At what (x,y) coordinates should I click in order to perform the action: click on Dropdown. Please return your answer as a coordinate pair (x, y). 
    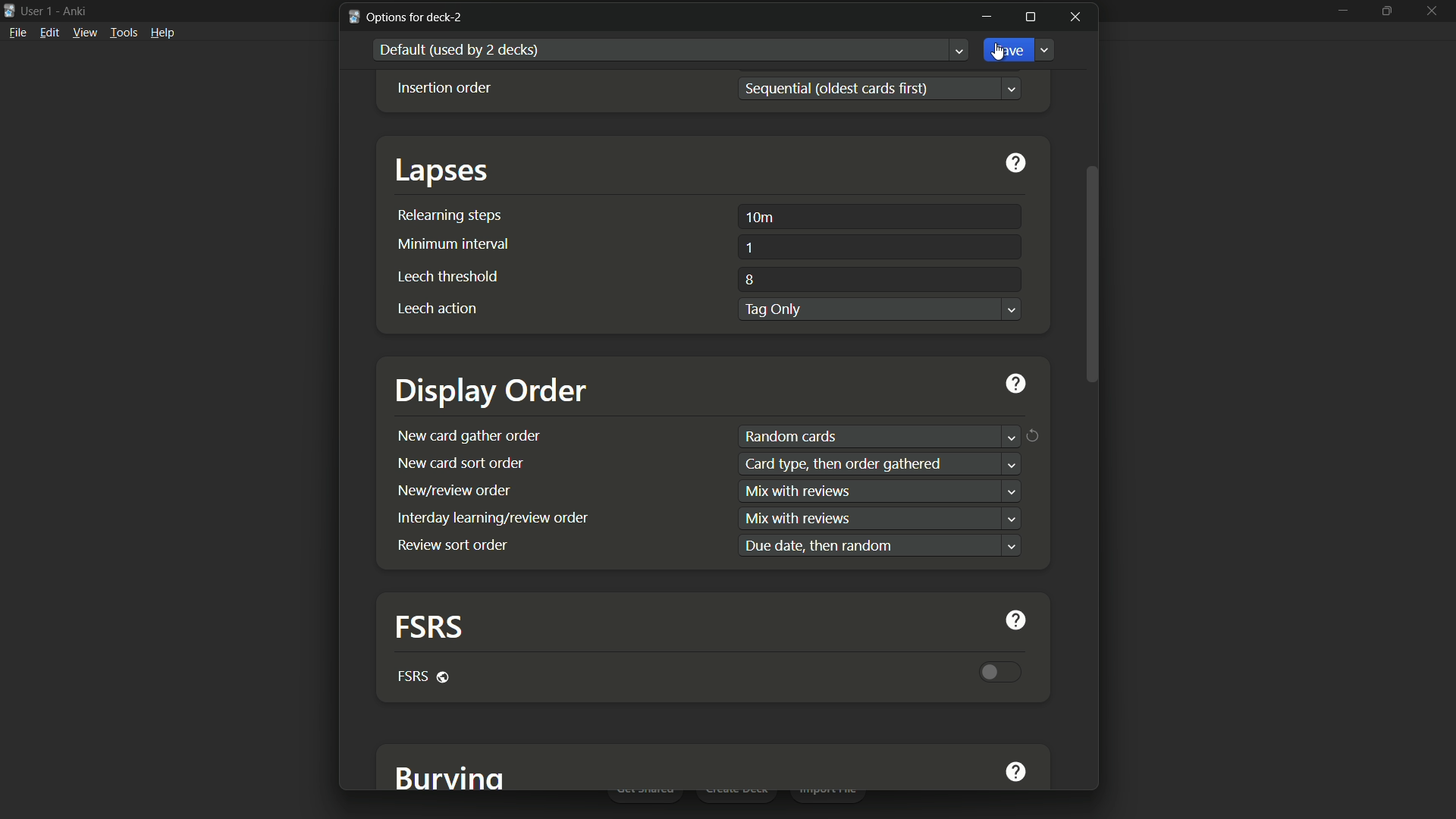
    Looking at the image, I should click on (1014, 309).